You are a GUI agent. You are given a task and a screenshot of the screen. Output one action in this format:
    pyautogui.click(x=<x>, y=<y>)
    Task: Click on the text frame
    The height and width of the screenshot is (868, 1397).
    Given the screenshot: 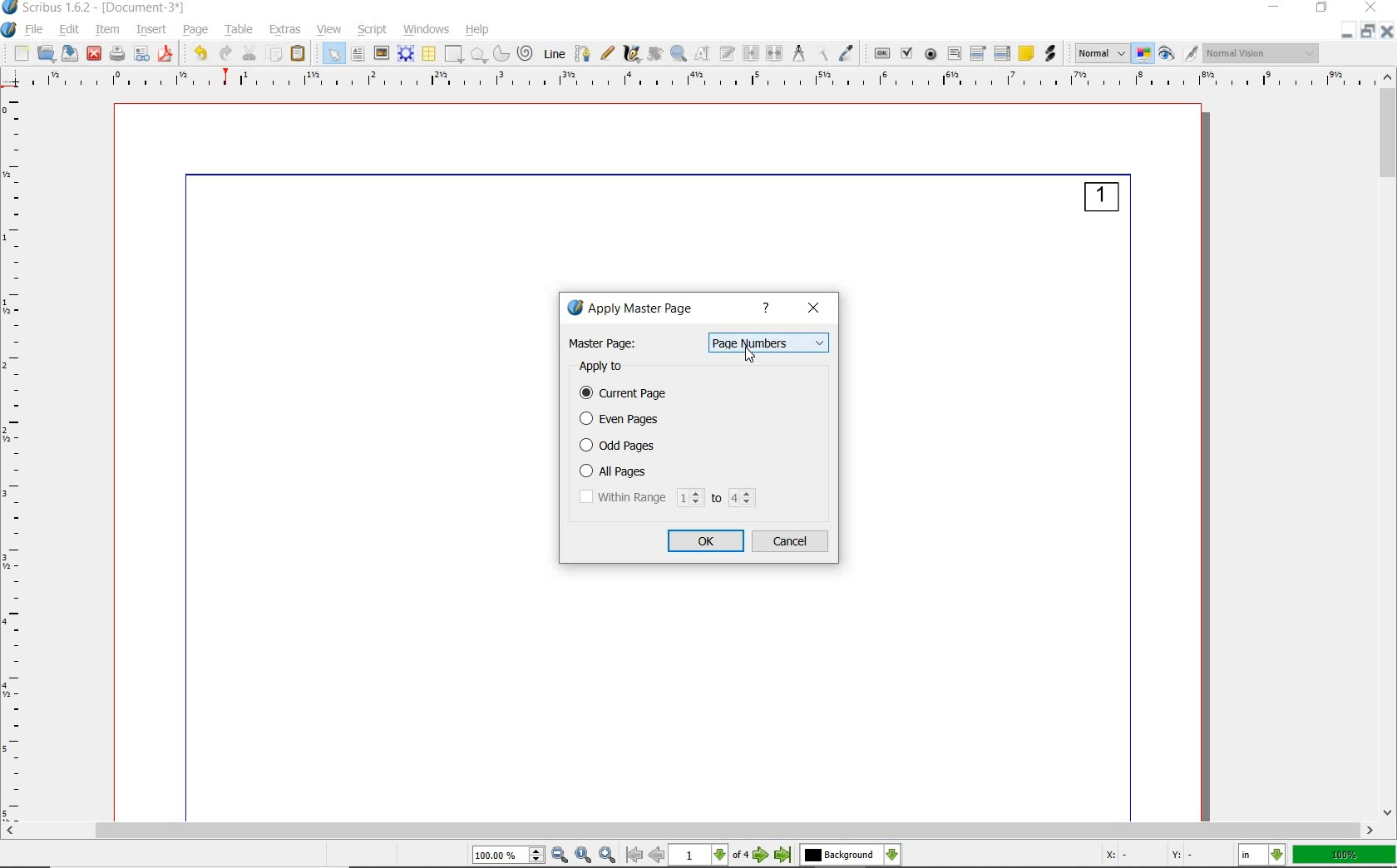 What is the action you would take?
    pyautogui.click(x=357, y=54)
    